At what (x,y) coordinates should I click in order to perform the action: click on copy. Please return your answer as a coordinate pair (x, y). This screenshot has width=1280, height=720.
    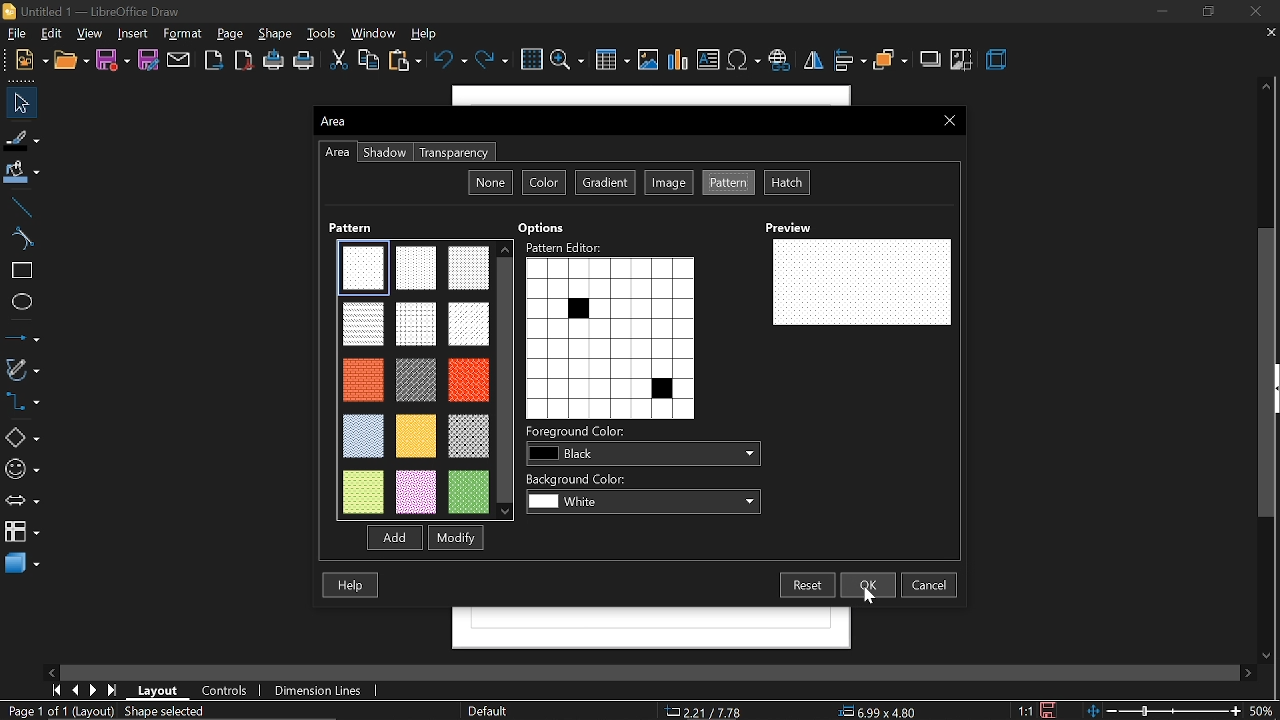
    Looking at the image, I should click on (370, 62).